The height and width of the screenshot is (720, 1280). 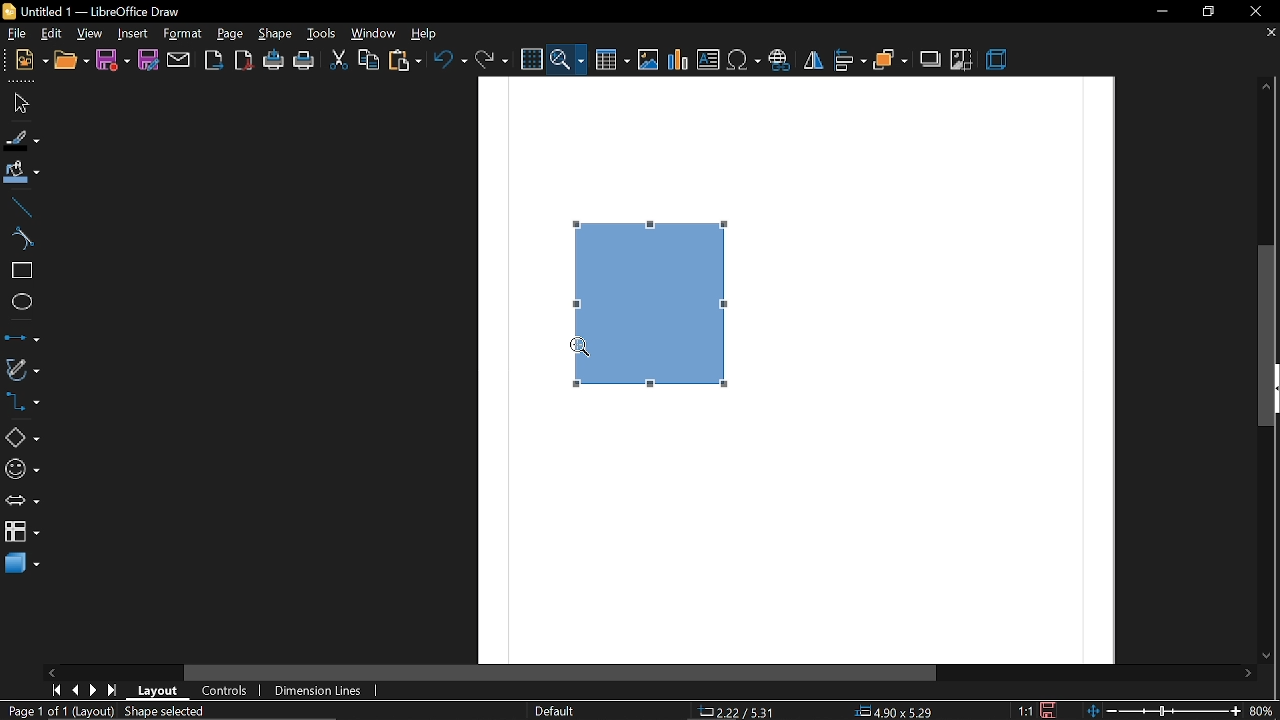 What do you see at coordinates (710, 60) in the screenshot?
I see `Insert text` at bounding box center [710, 60].